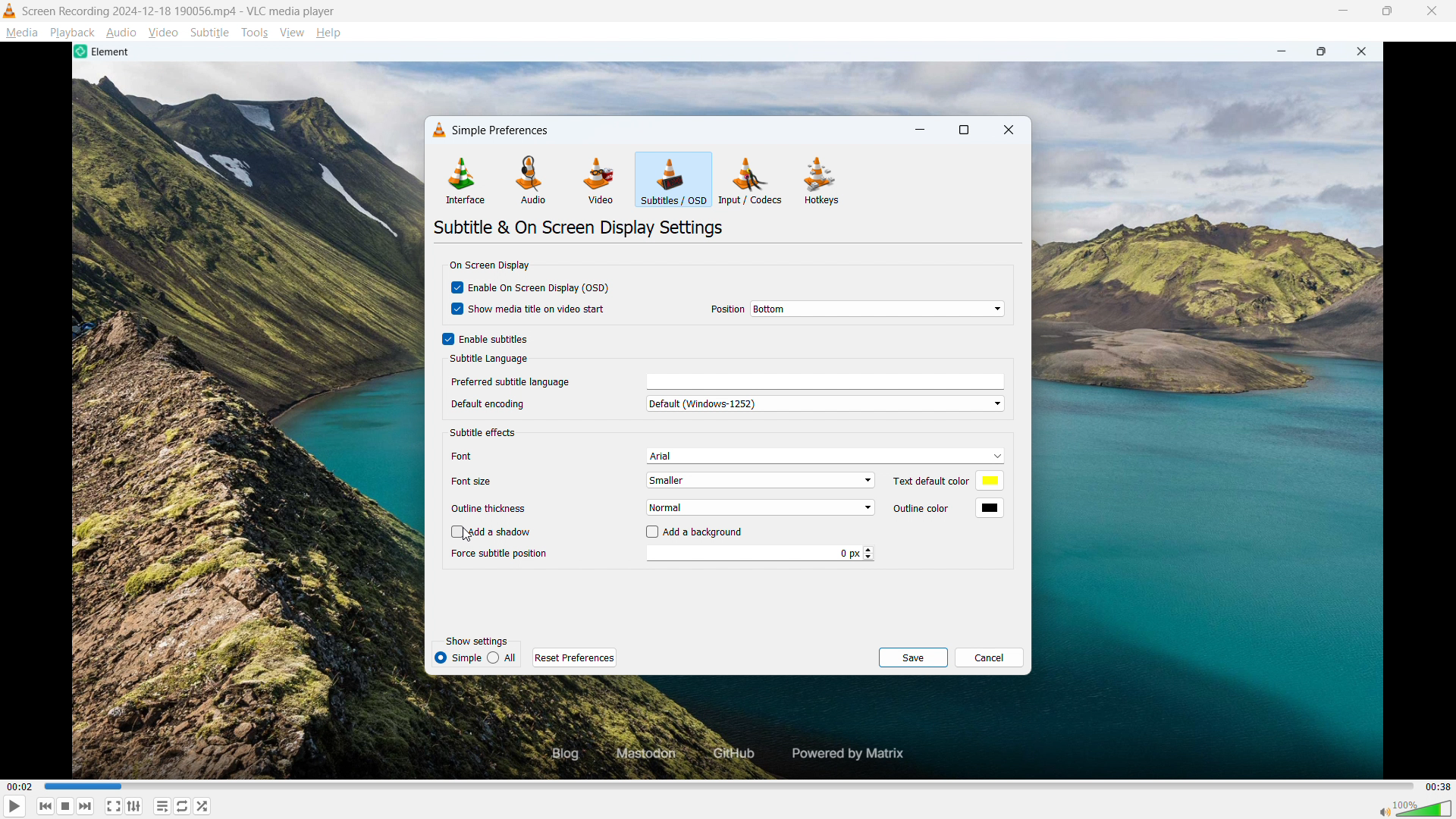 The width and height of the screenshot is (1456, 819). I want to click on minimise dialogue box , so click(921, 130).